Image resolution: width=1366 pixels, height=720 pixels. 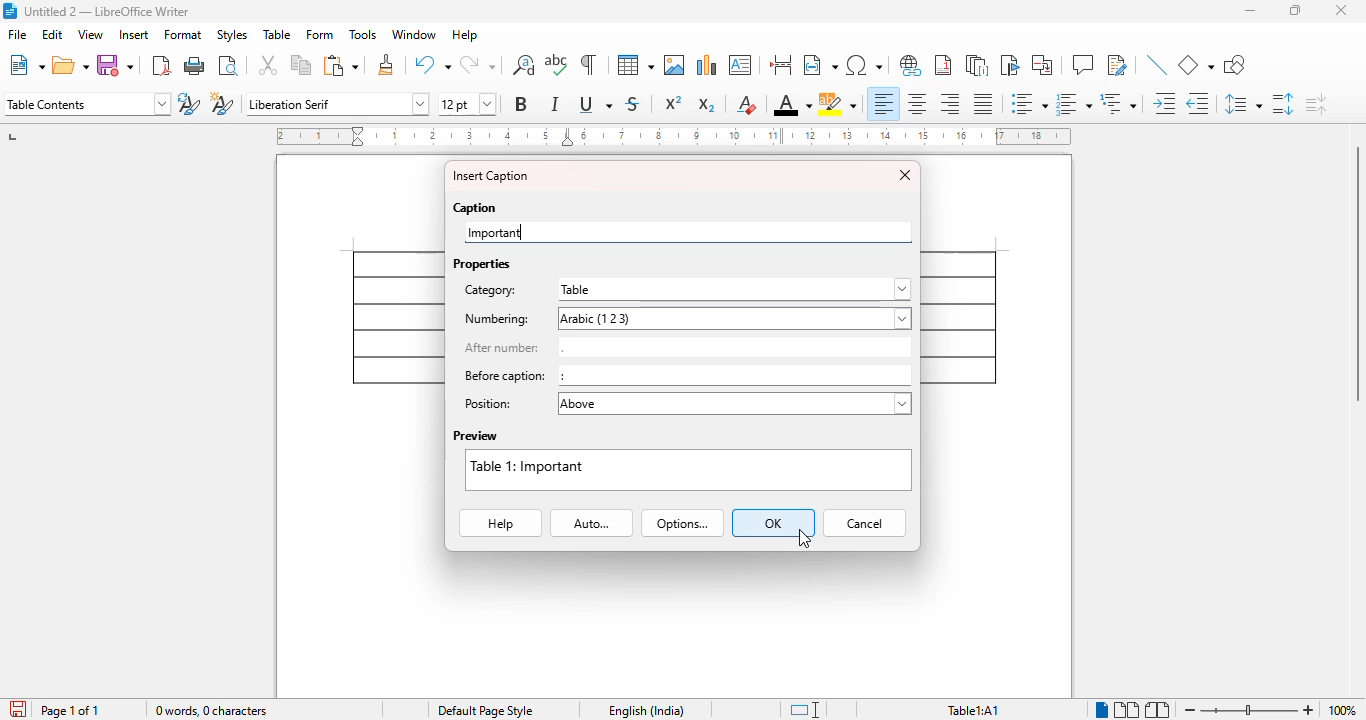 I want to click on page 1 of 1, so click(x=71, y=710).